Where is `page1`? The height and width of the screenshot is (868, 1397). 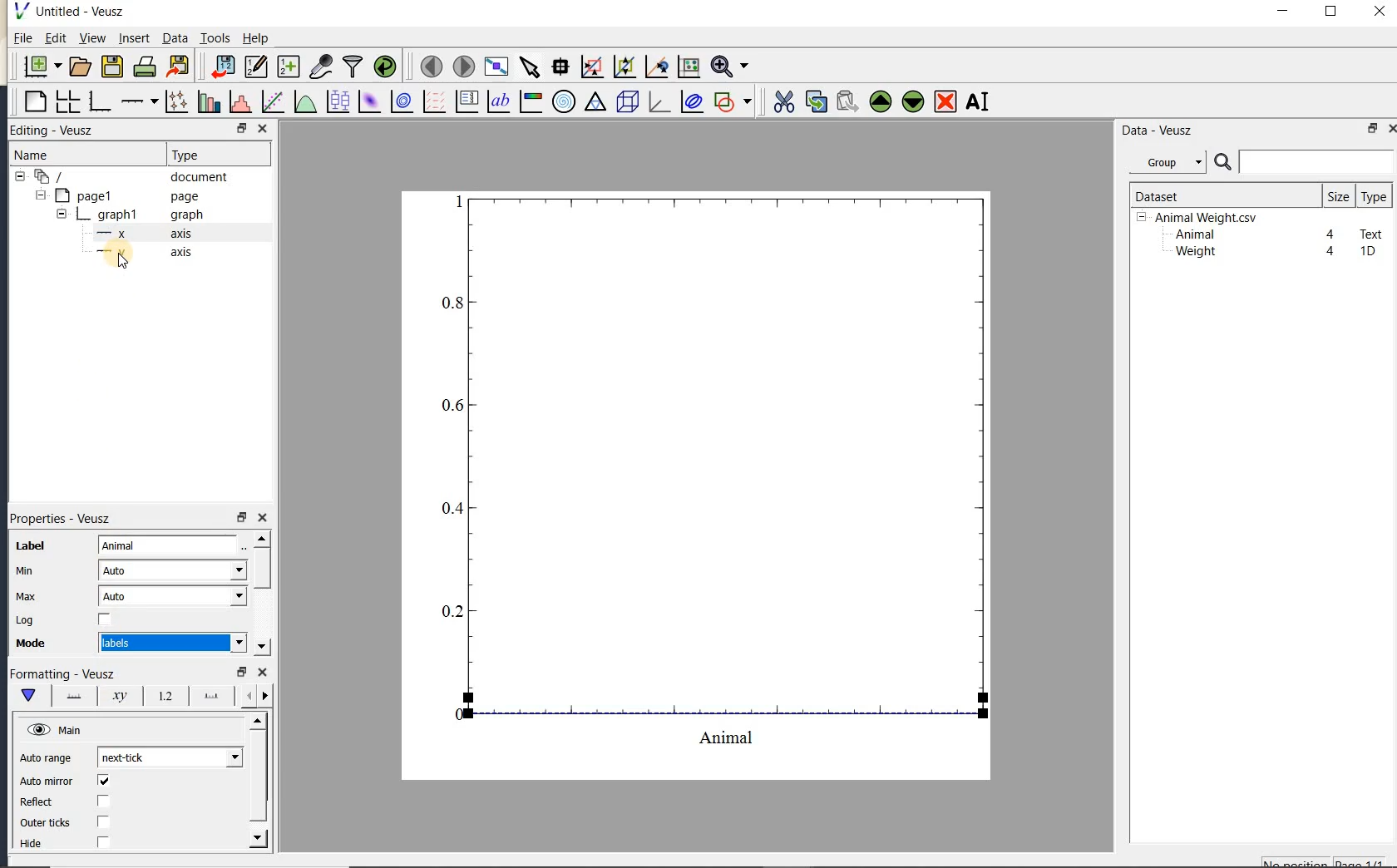
page1 is located at coordinates (119, 197).